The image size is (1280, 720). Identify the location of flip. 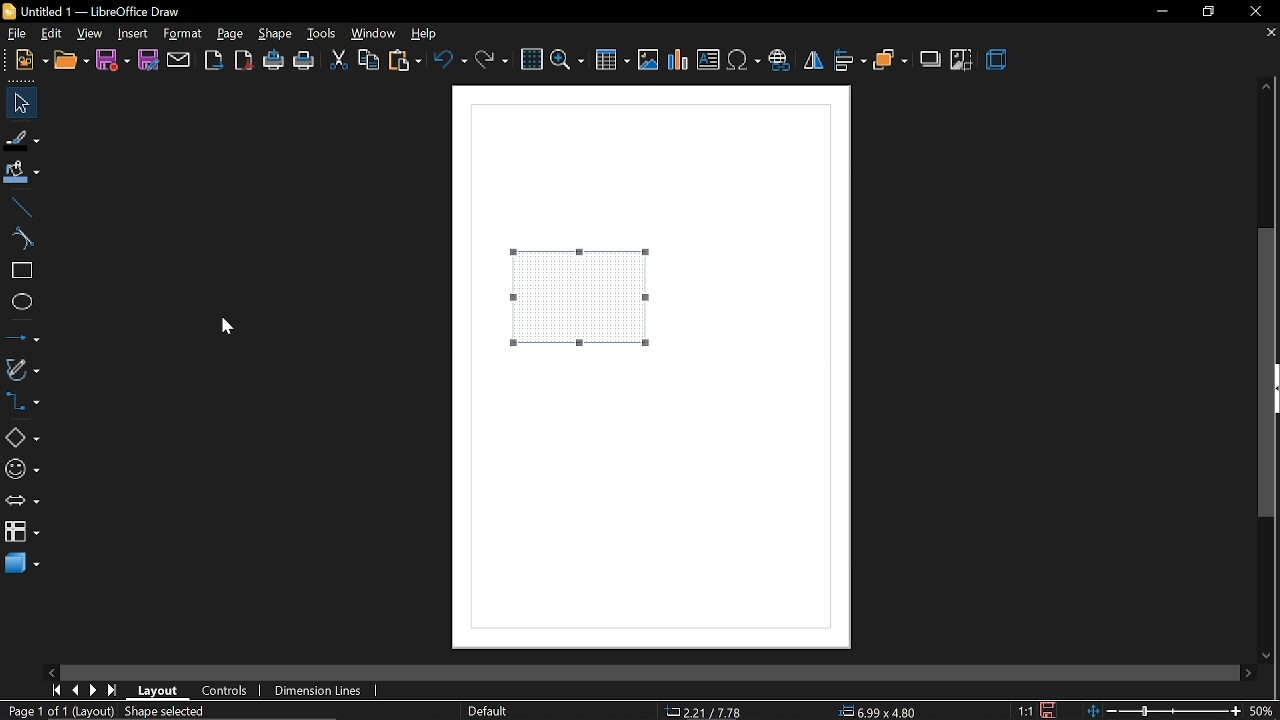
(814, 63).